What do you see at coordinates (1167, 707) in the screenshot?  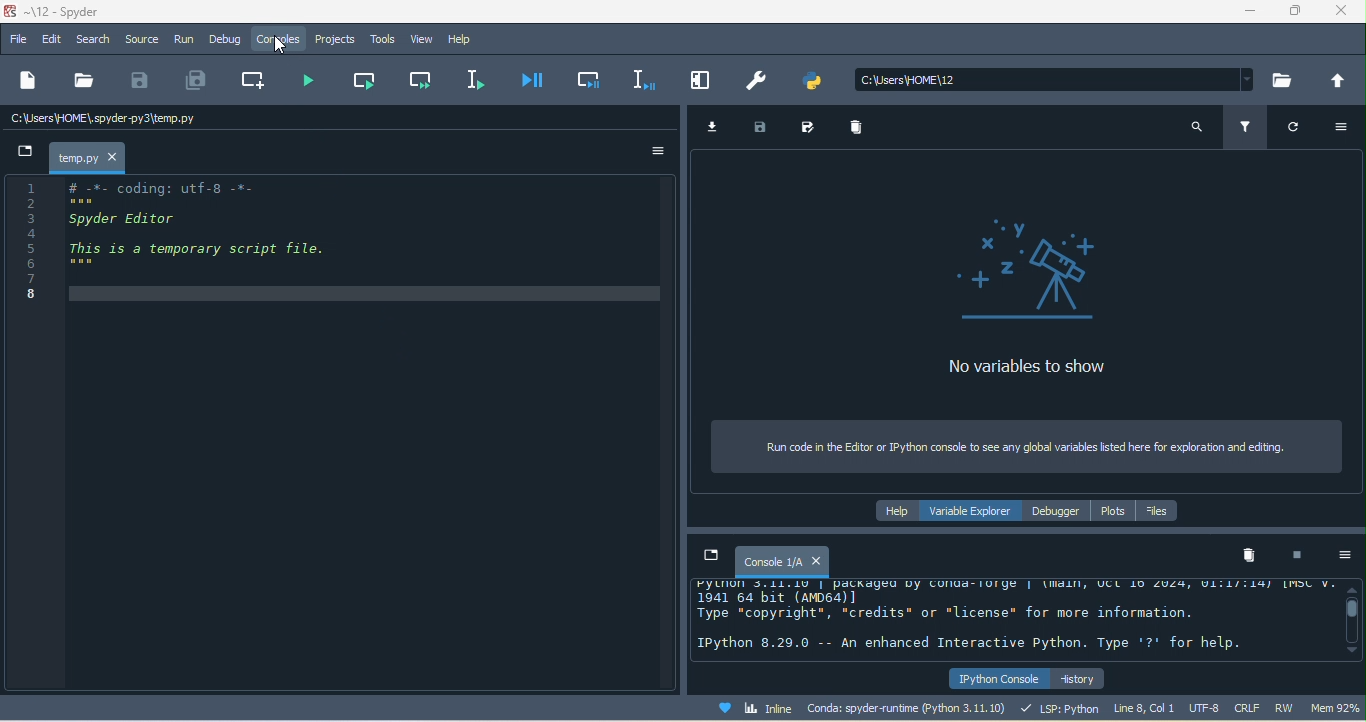 I see `line 8 col1 utf 8` at bounding box center [1167, 707].